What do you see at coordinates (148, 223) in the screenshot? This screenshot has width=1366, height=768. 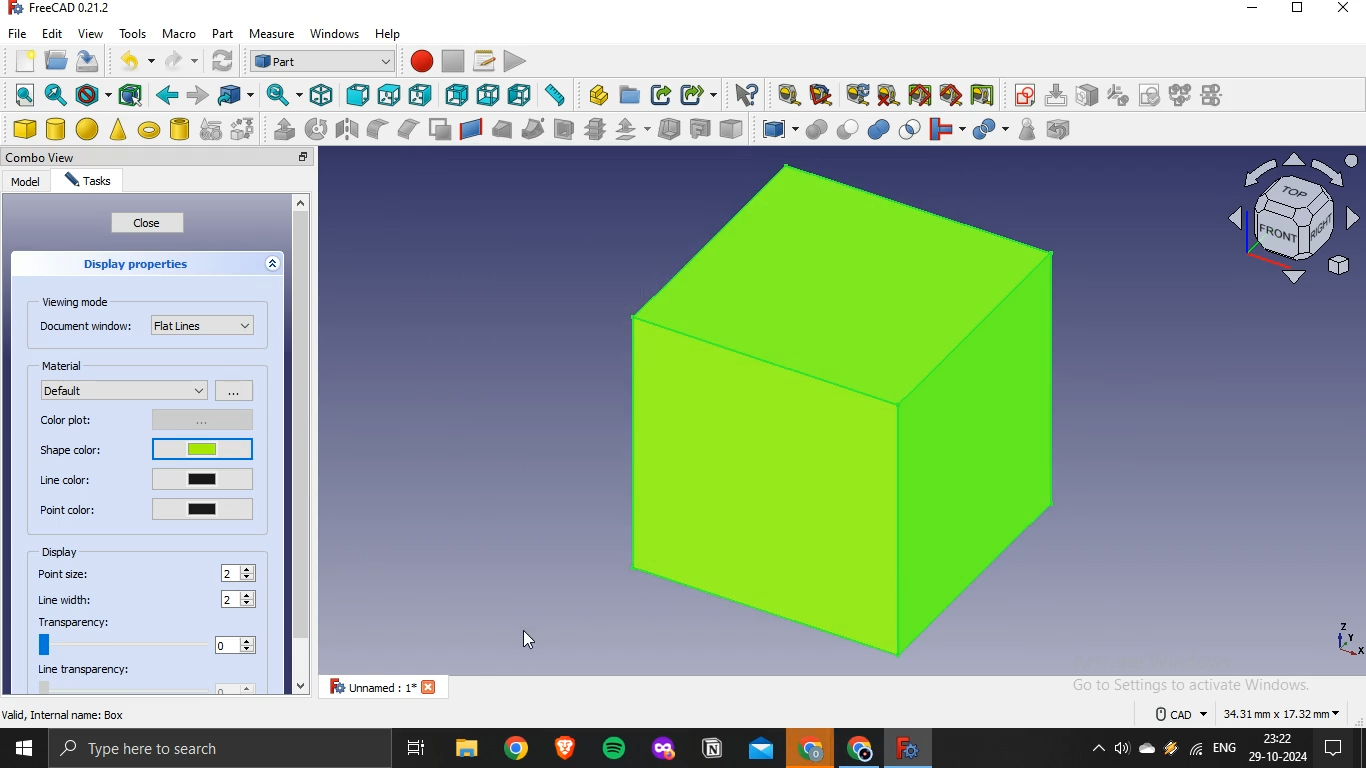 I see `close` at bounding box center [148, 223].